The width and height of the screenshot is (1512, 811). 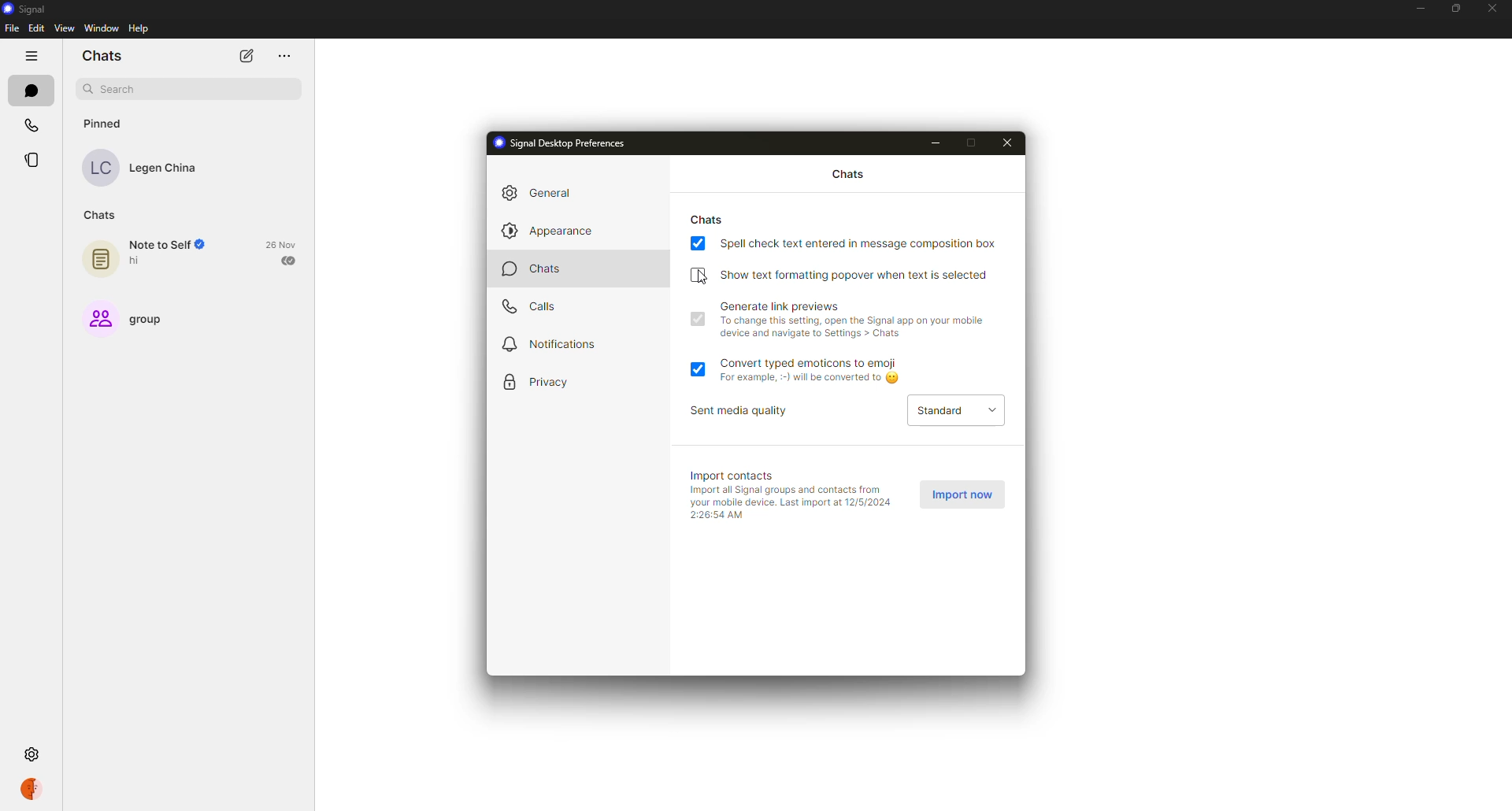 What do you see at coordinates (709, 218) in the screenshot?
I see `chats` at bounding box center [709, 218].